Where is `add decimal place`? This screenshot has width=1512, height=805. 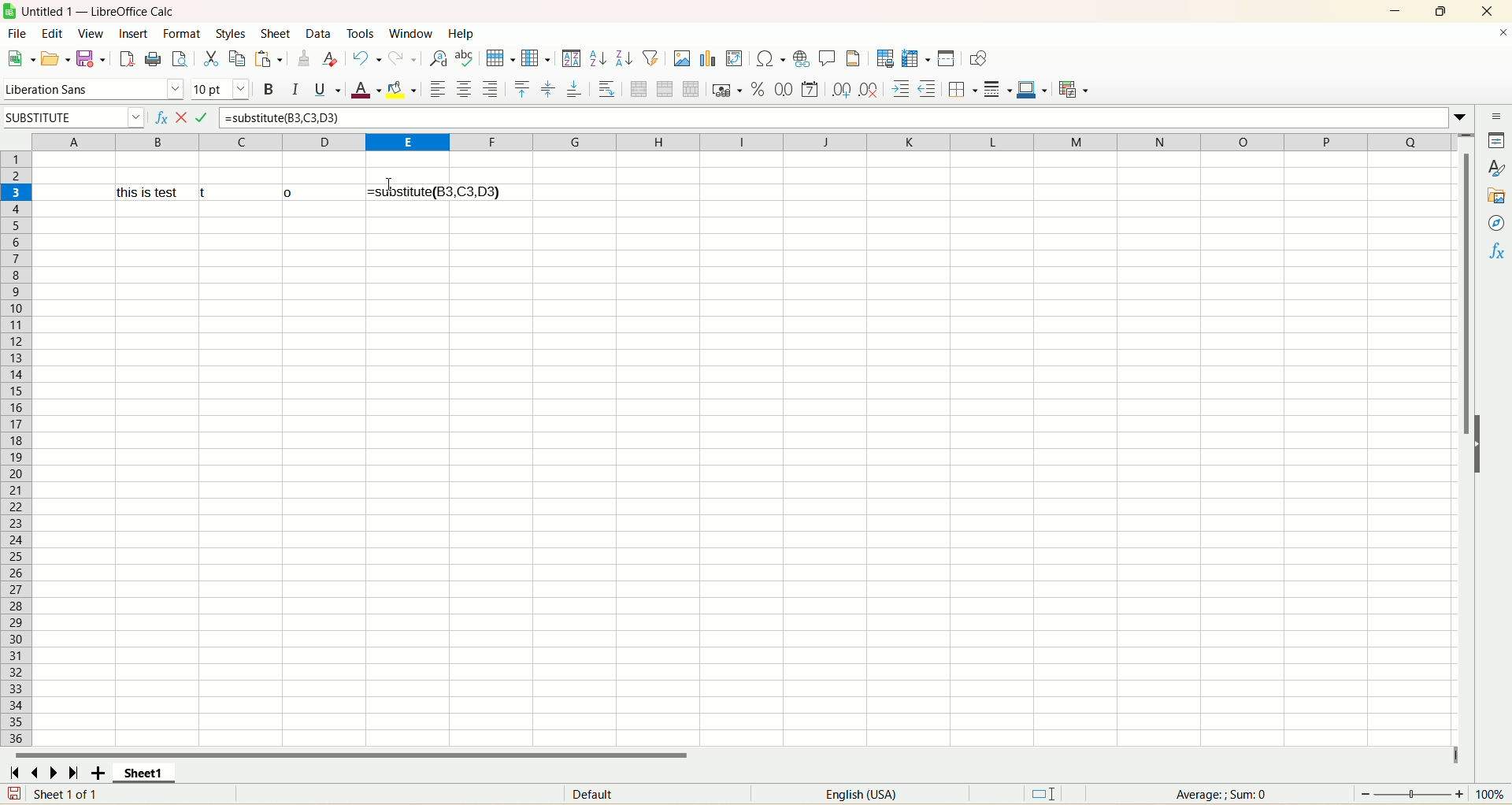
add decimal place is located at coordinates (843, 90).